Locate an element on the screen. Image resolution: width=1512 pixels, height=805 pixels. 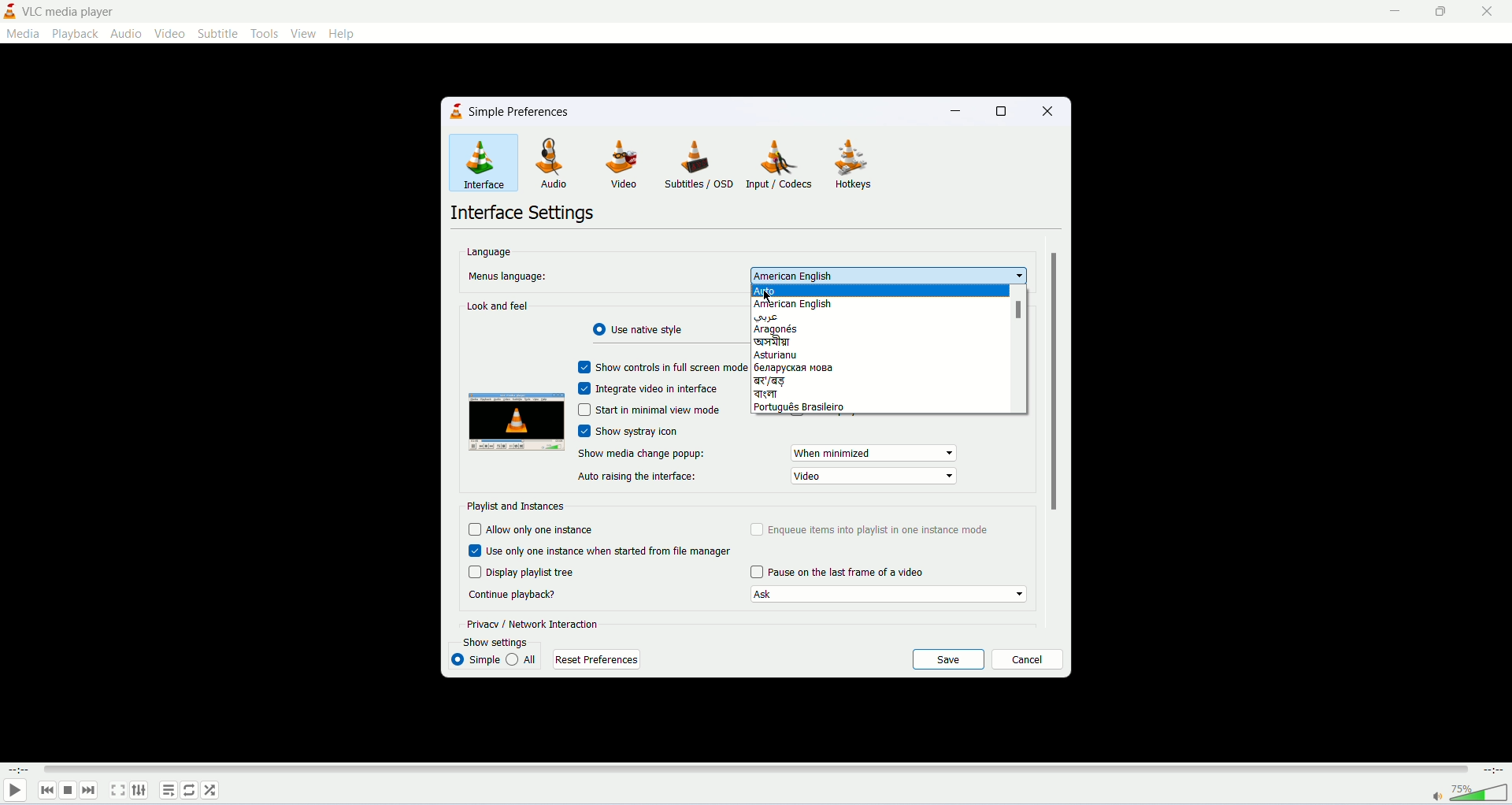
progress bar is located at coordinates (760, 772).